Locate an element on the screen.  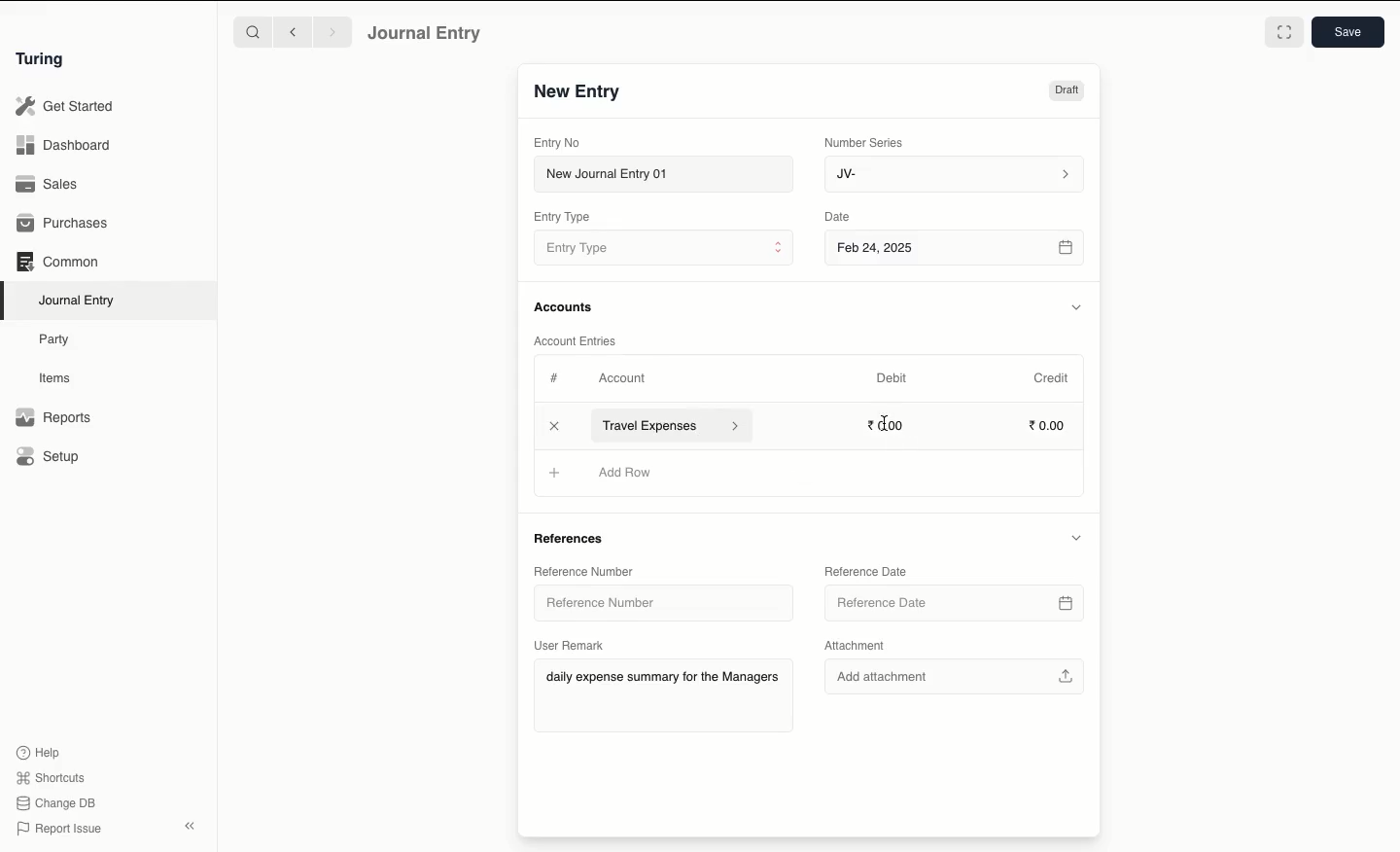
Shortcuts is located at coordinates (53, 778).